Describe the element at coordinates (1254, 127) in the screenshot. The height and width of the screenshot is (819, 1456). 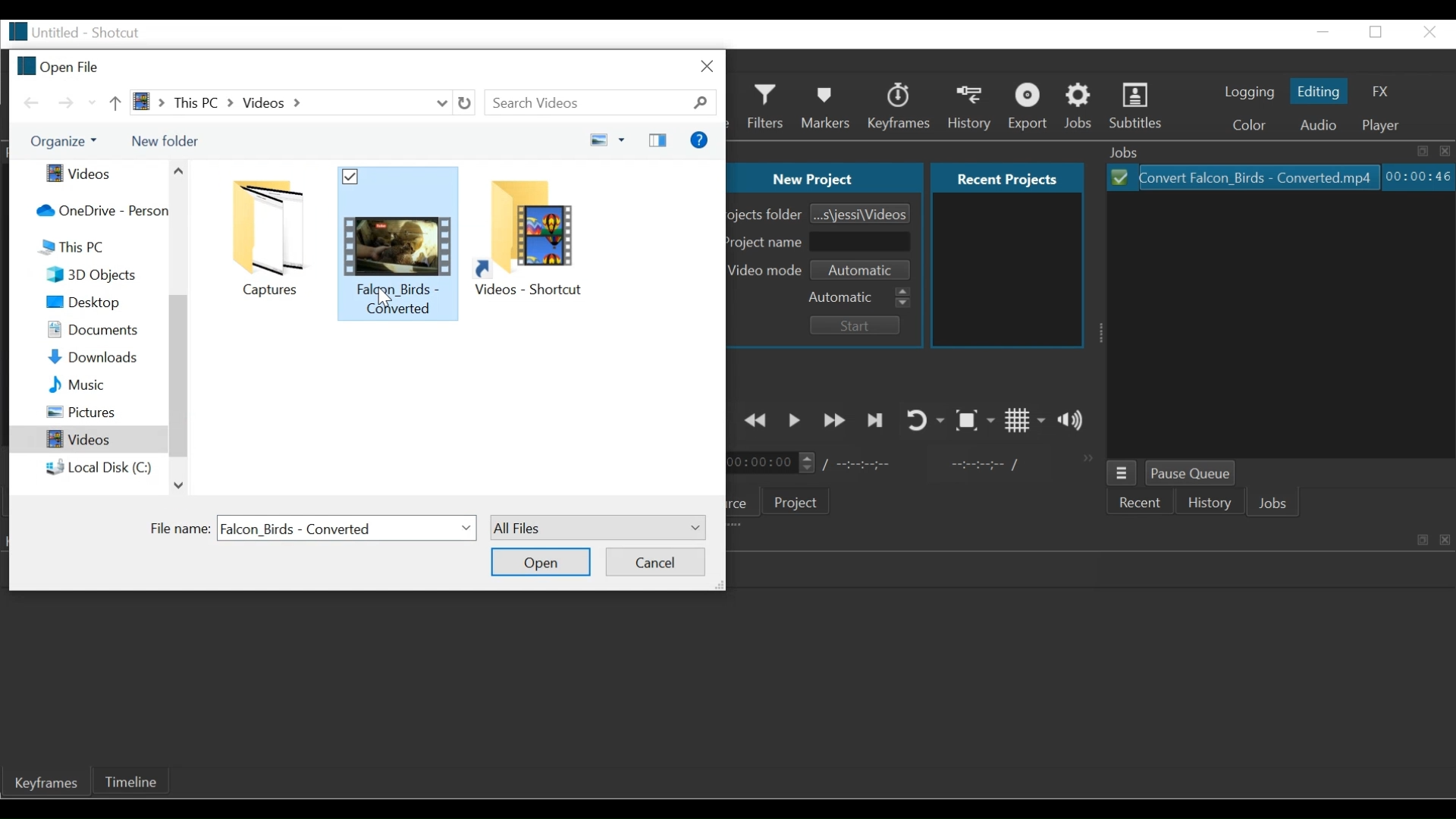
I see `Color` at that location.